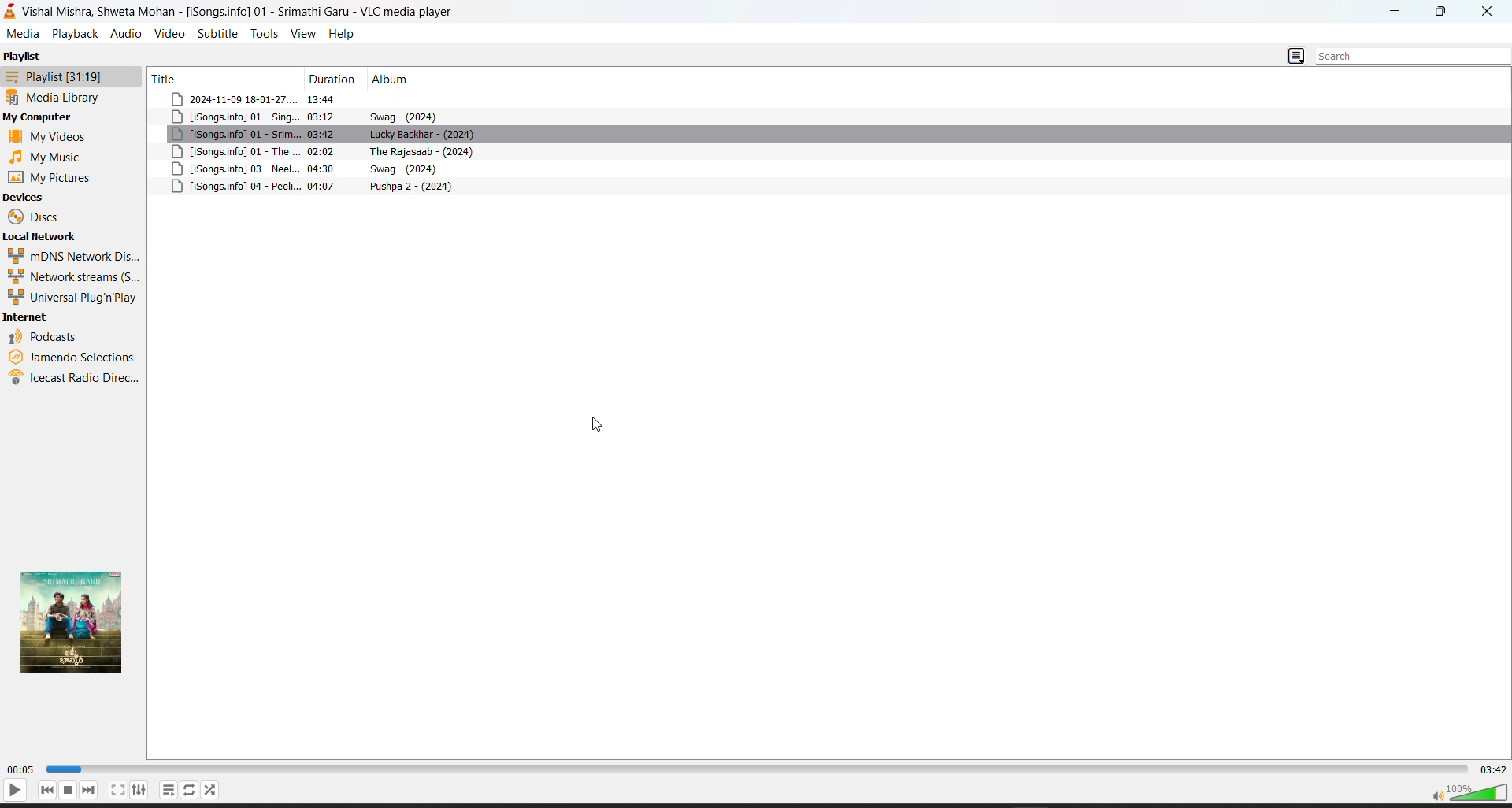 The height and width of the screenshot is (808, 1512). What do you see at coordinates (76, 33) in the screenshot?
I see `playback` at bounding box center [76, 33].